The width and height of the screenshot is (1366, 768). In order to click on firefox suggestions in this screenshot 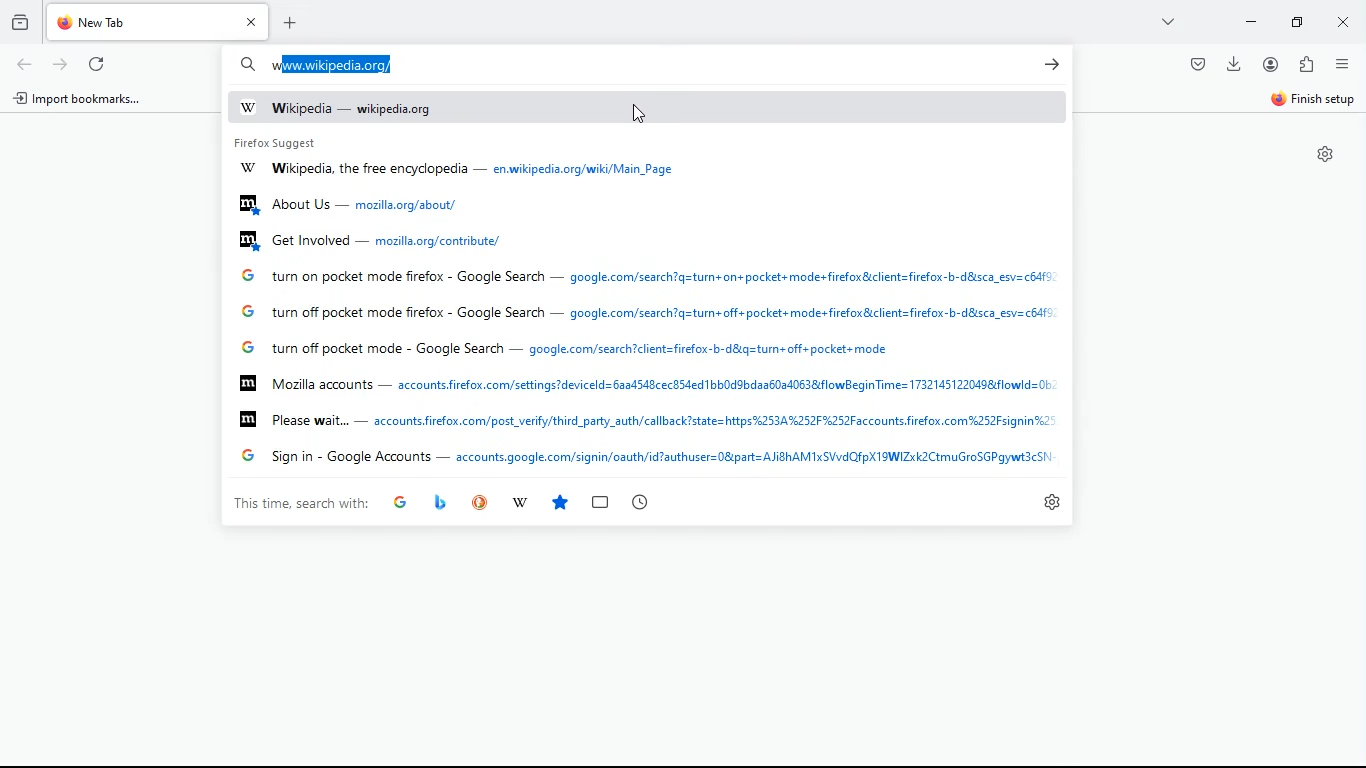, I will do `click(353, 204)`.